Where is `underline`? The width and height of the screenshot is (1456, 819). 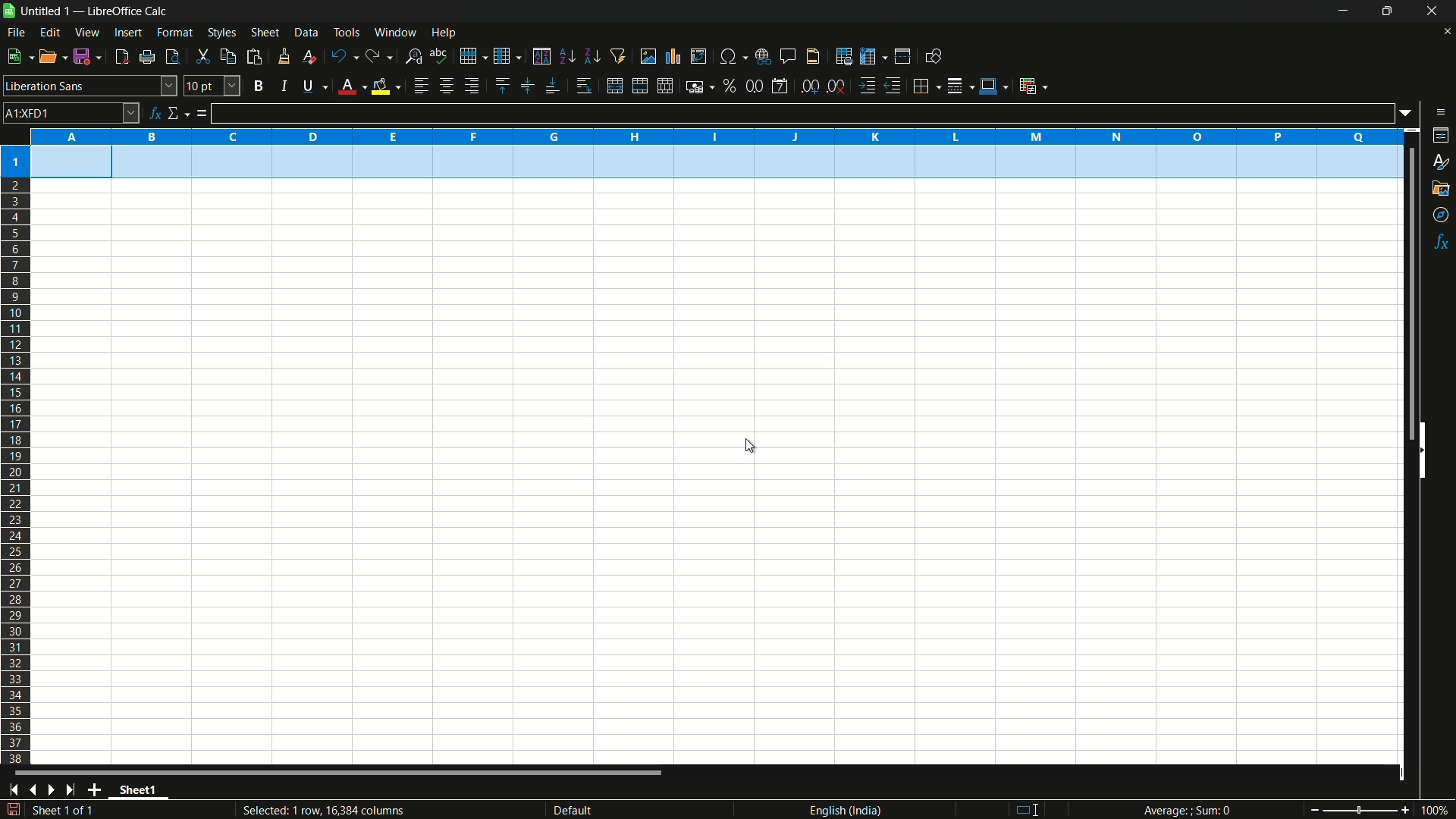 underline is located at coordinates (312, 87).